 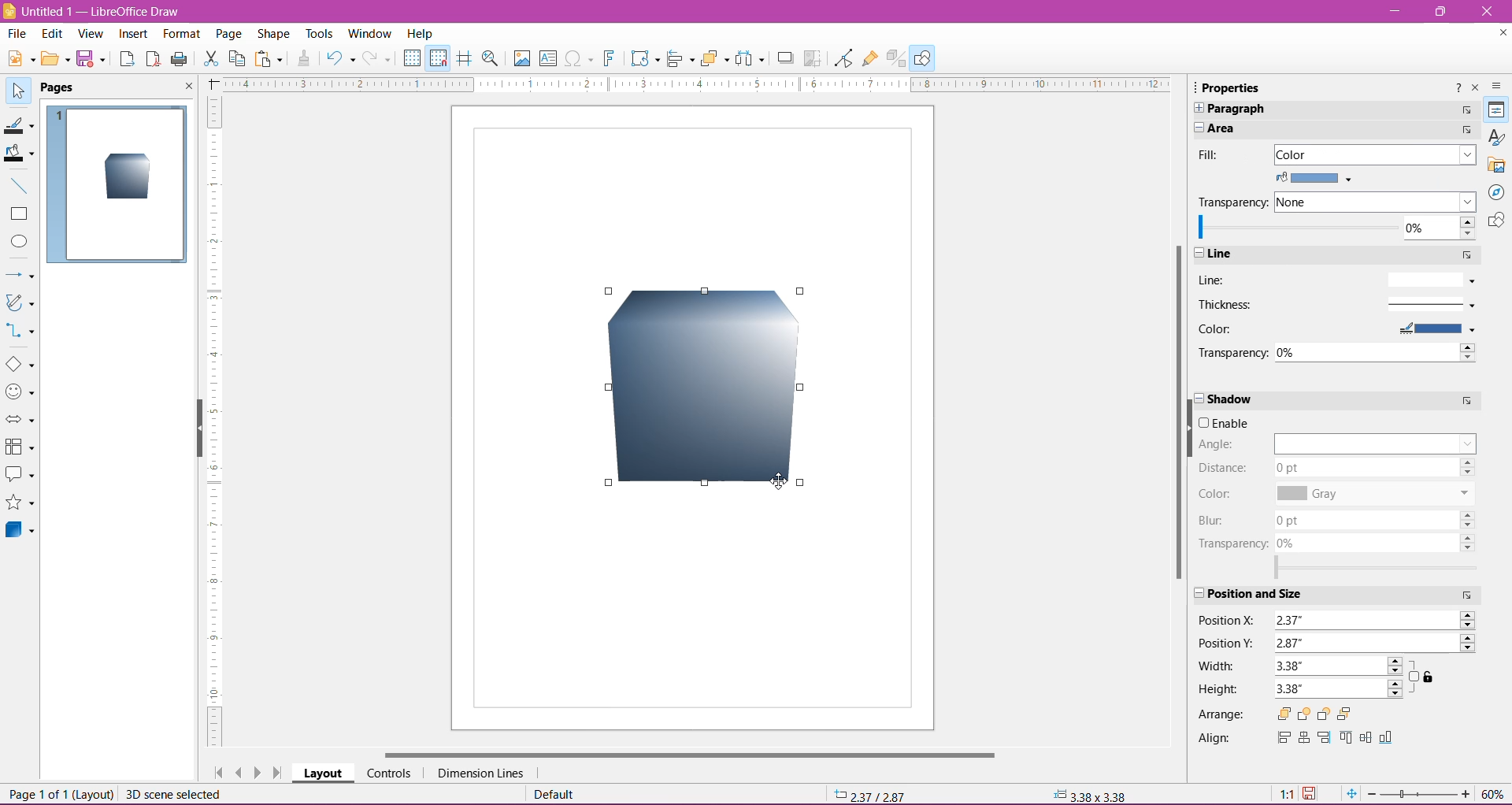 I want to click on Back One, so click(x=1322, y=714).